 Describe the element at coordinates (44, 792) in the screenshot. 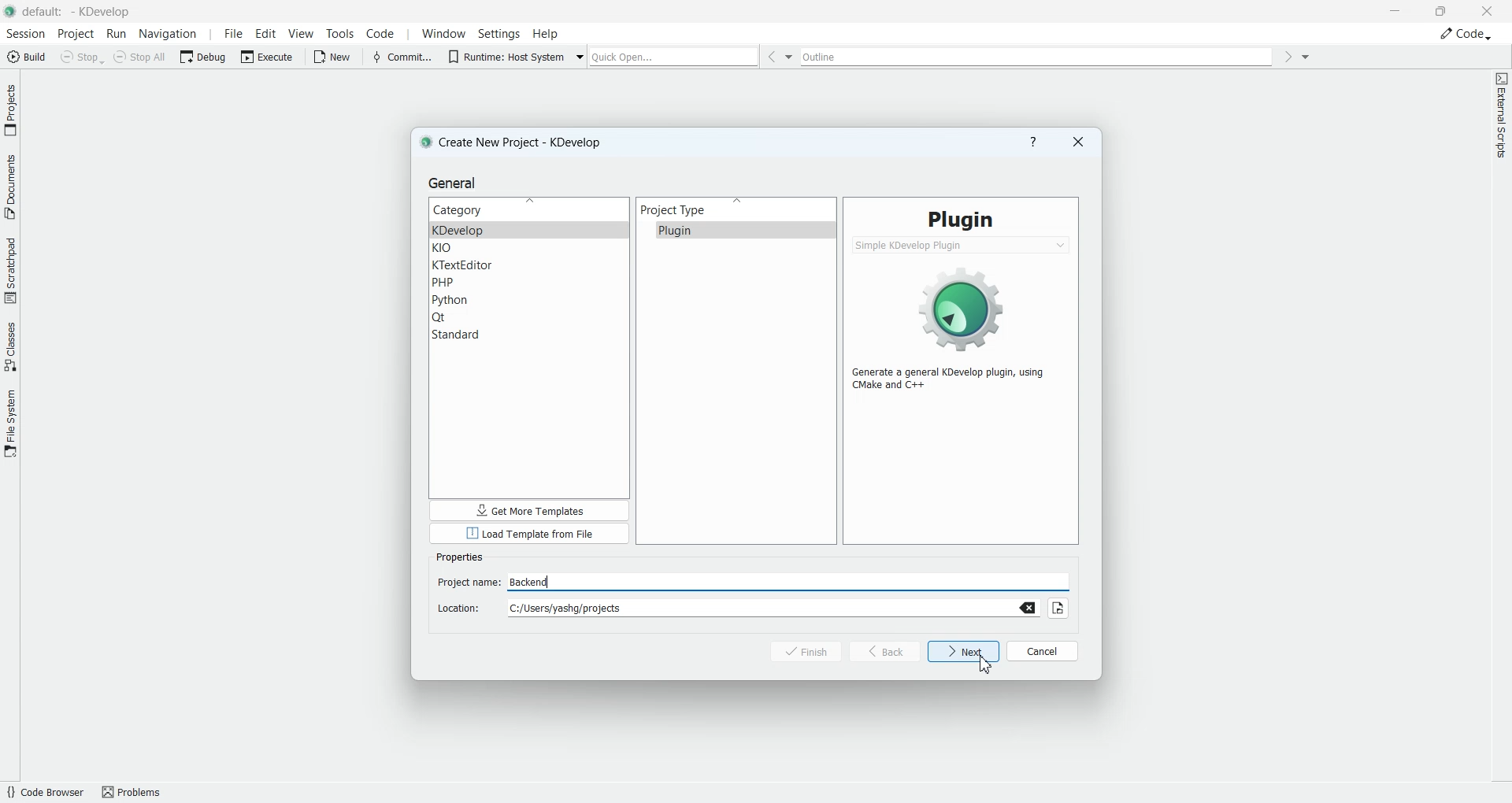

I see `Code Browser` at that location.